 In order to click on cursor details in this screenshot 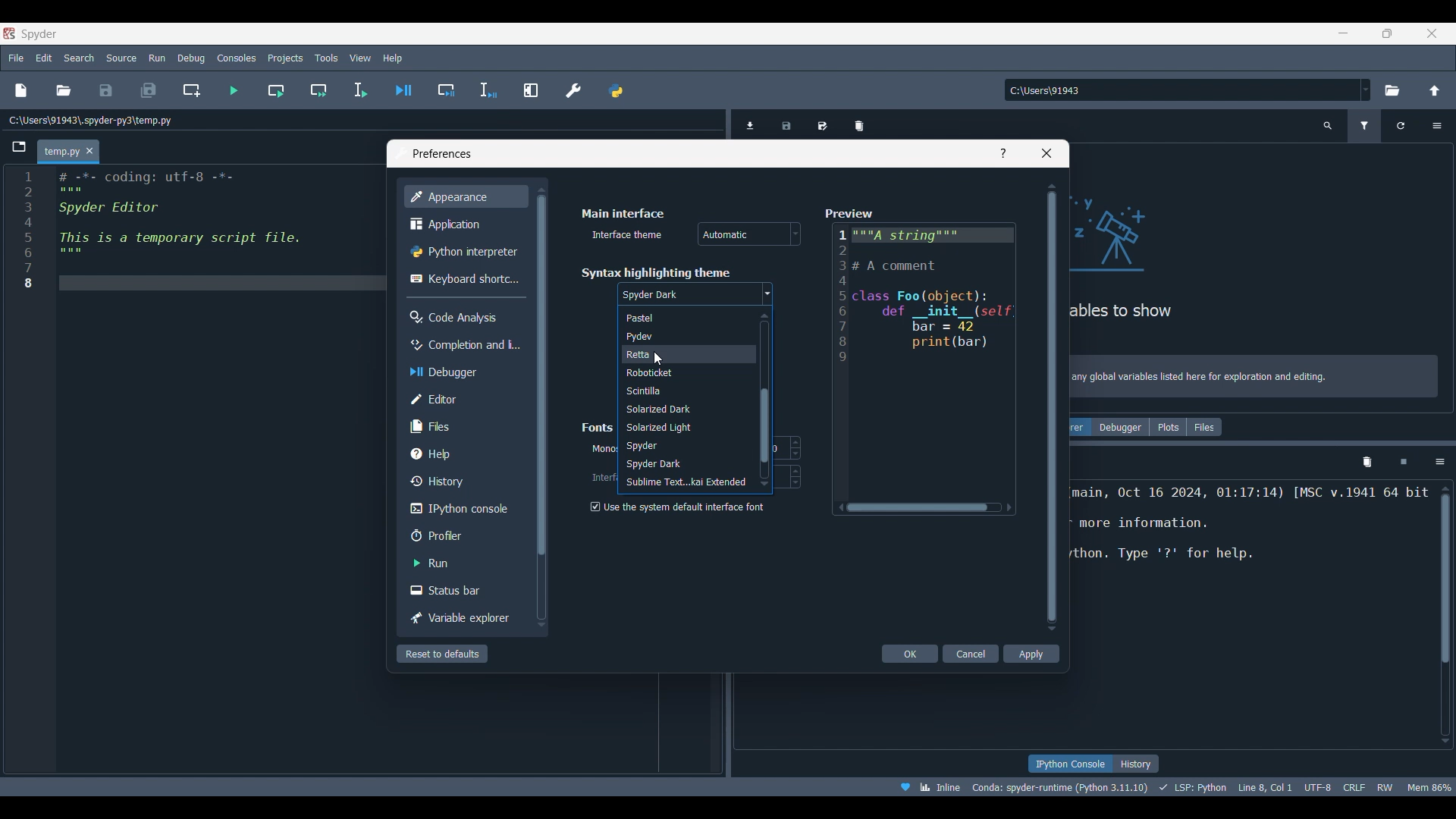, I will do `click(1263, 786)`.